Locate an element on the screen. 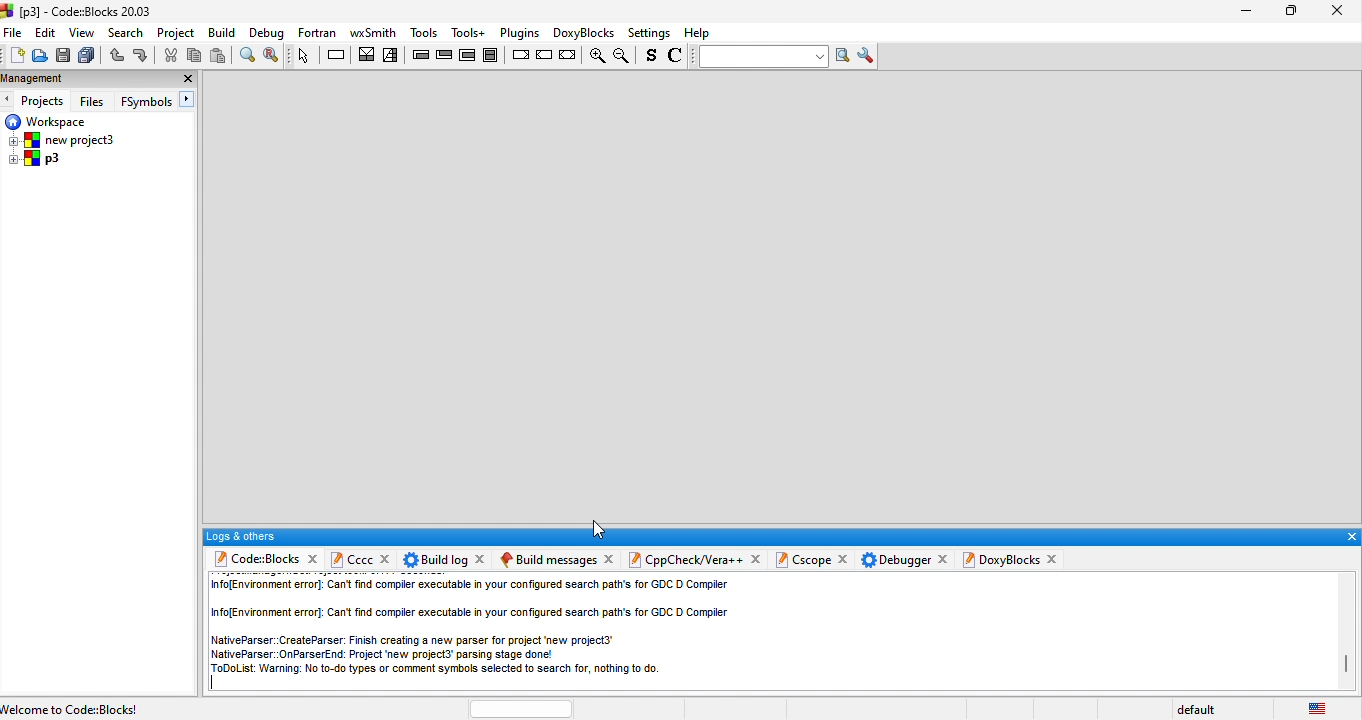 The image size is (1362, 720). zoom out is located at coordinates (624, 56).